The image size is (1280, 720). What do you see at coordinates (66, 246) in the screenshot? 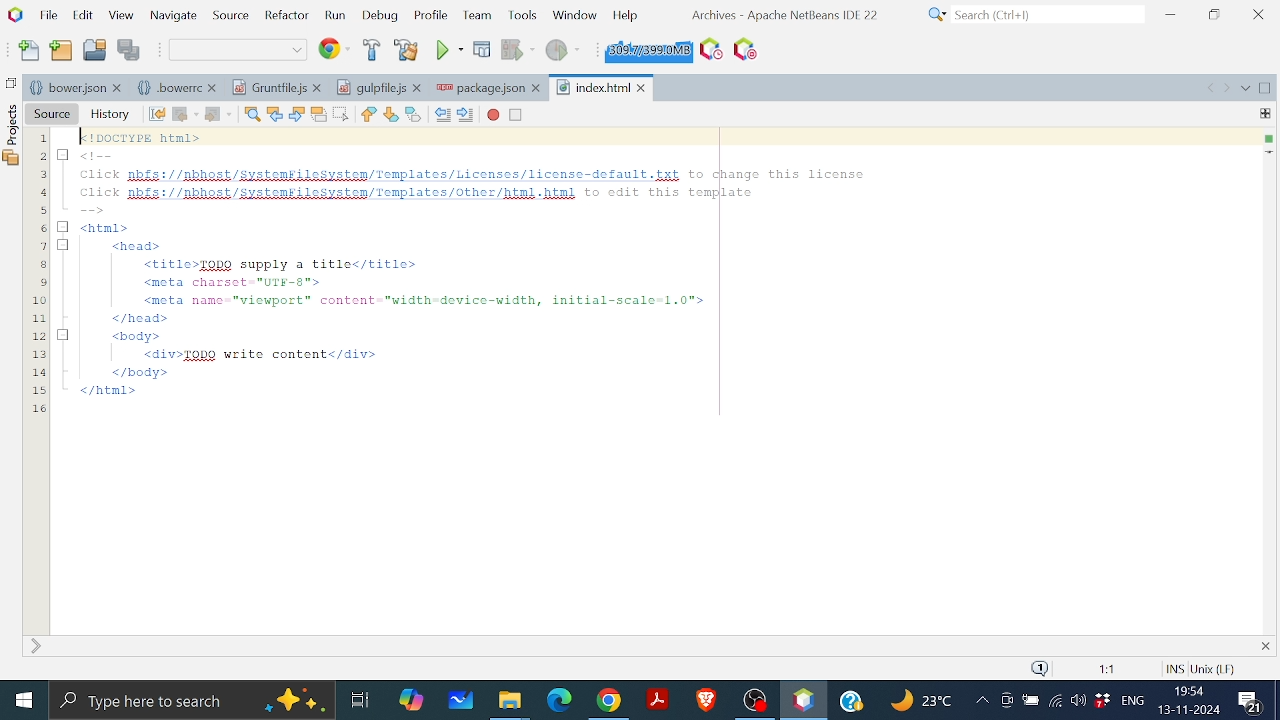
I see `minimize` at bounding box center [66, 246].